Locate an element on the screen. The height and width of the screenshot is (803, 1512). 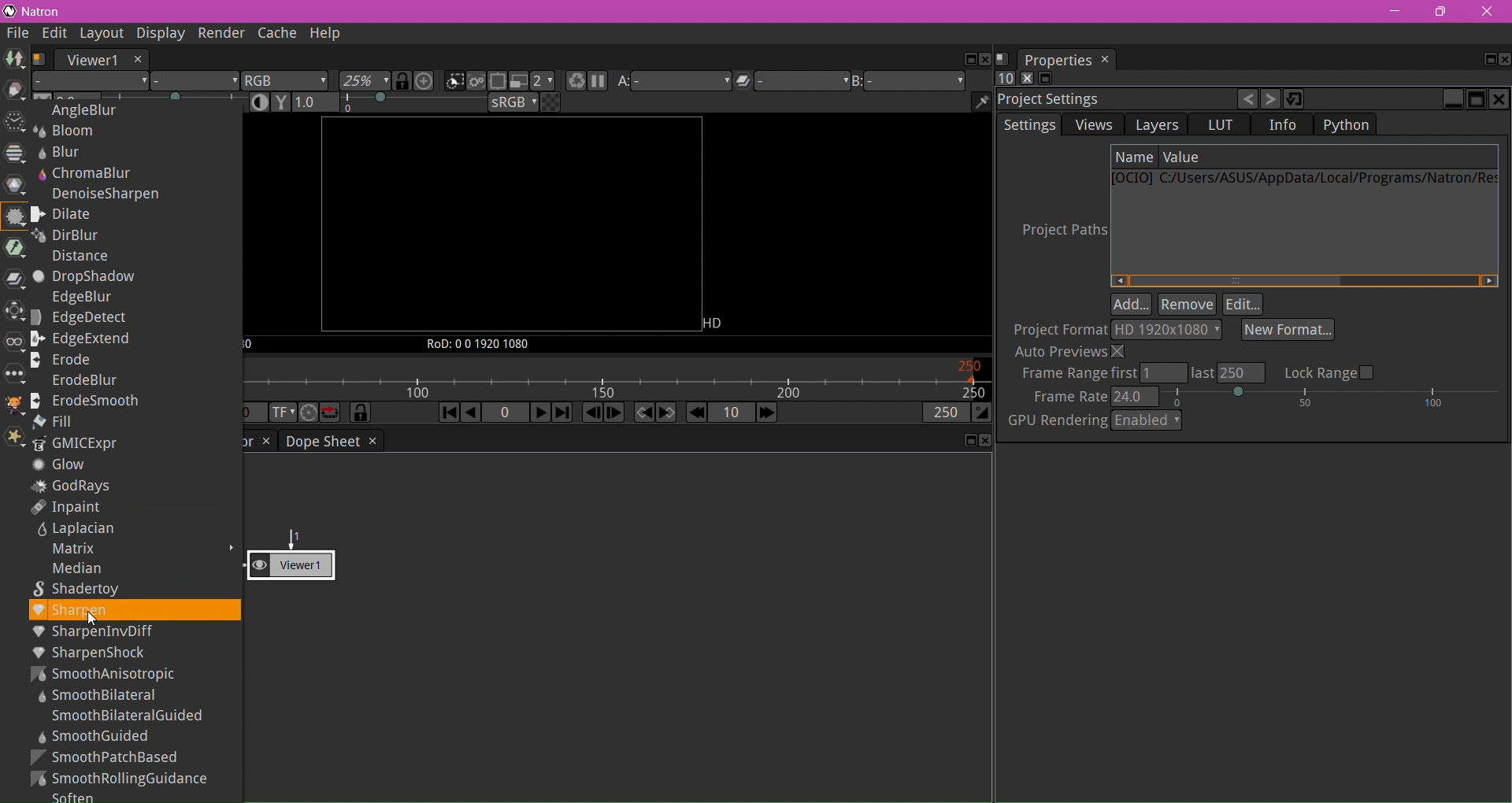
Previous Keyframe is located at coordinates (643, 413).